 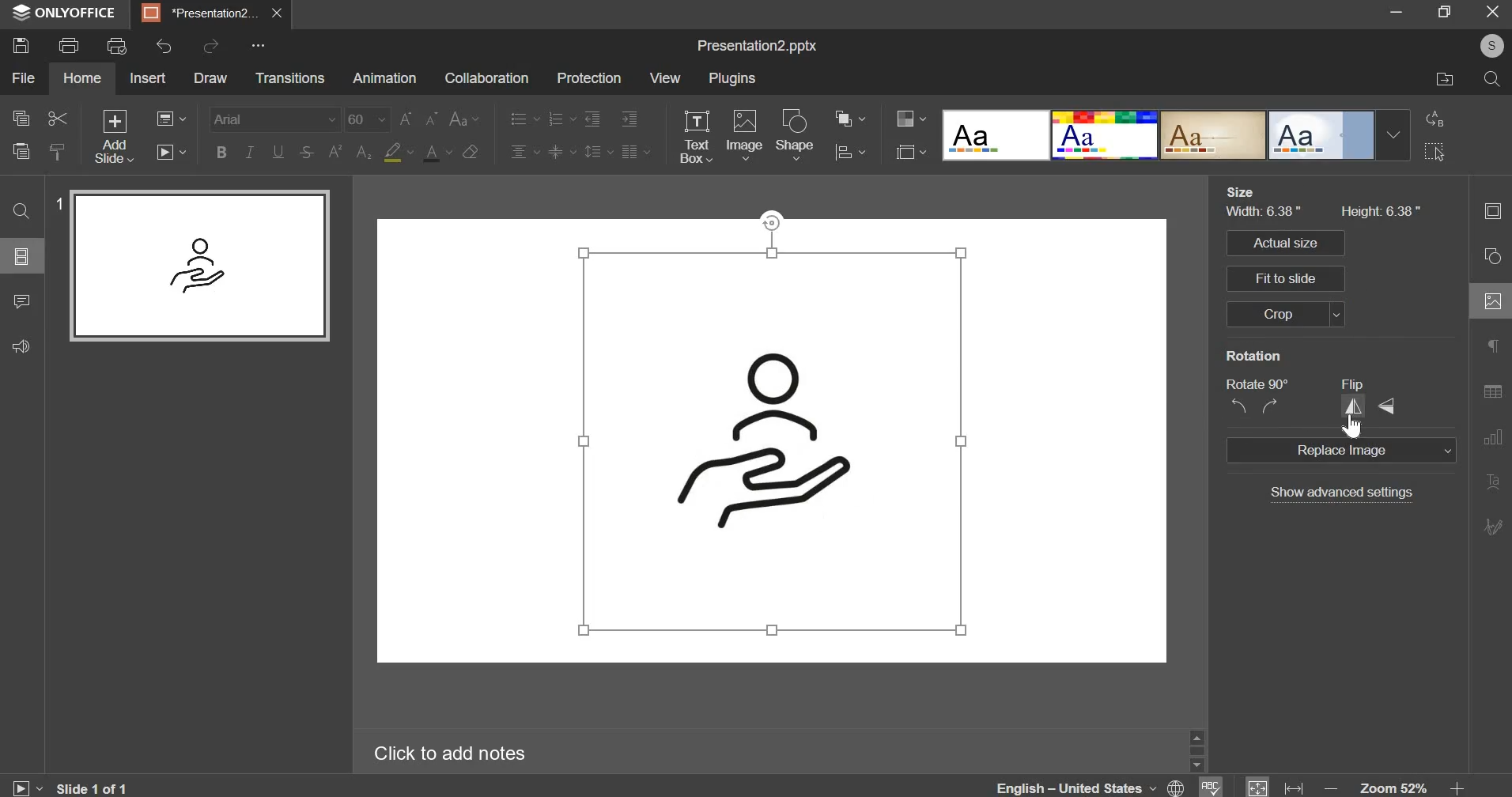 What do you see at coordinates (1492, 482) in the screenshot?
I see `text art` at bounding box center [1492, 482].